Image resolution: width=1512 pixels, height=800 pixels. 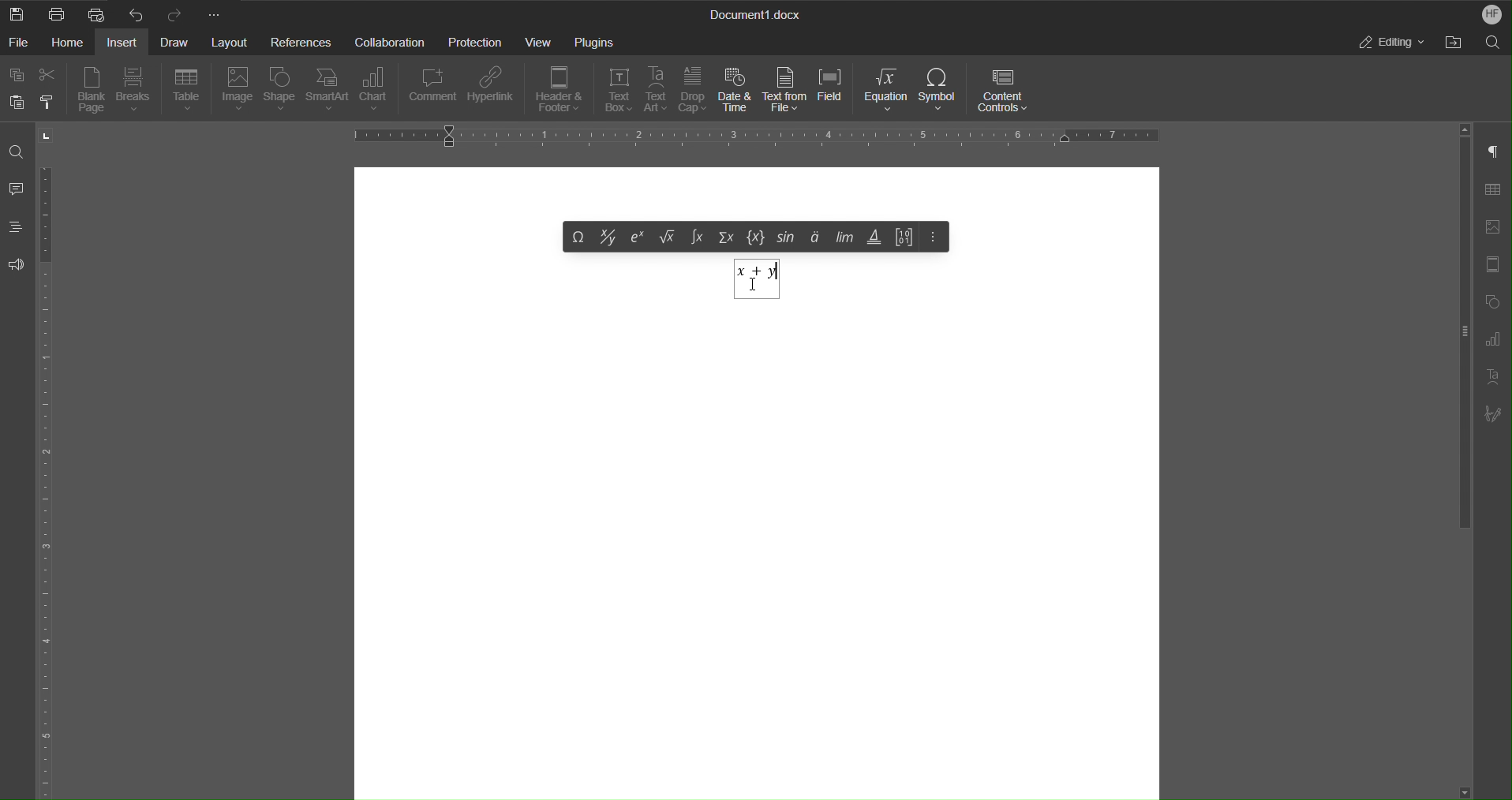 I want to click on Shape Settings, so click(x=1491, y=301).